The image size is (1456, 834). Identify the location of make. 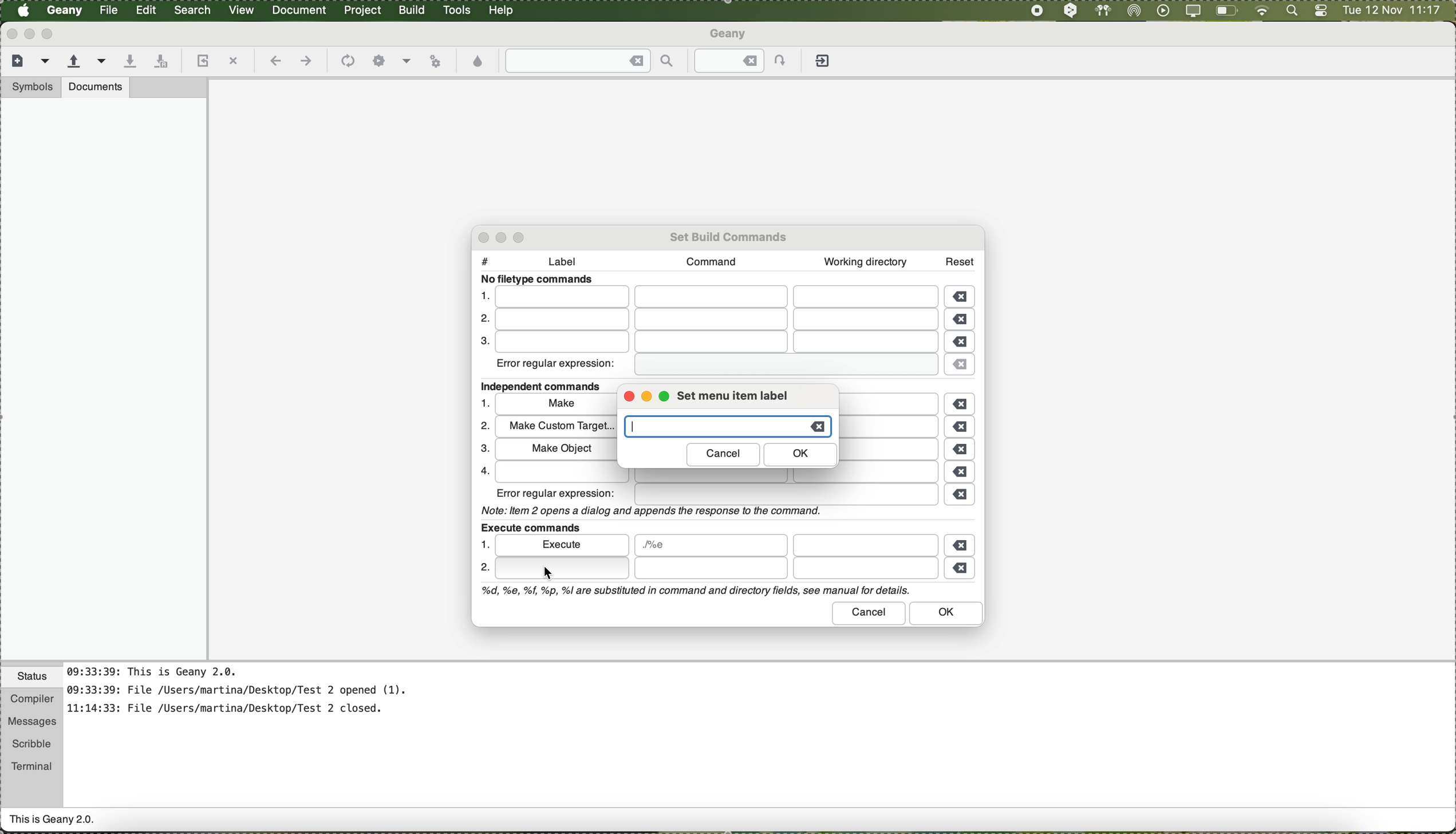
(724, 427).